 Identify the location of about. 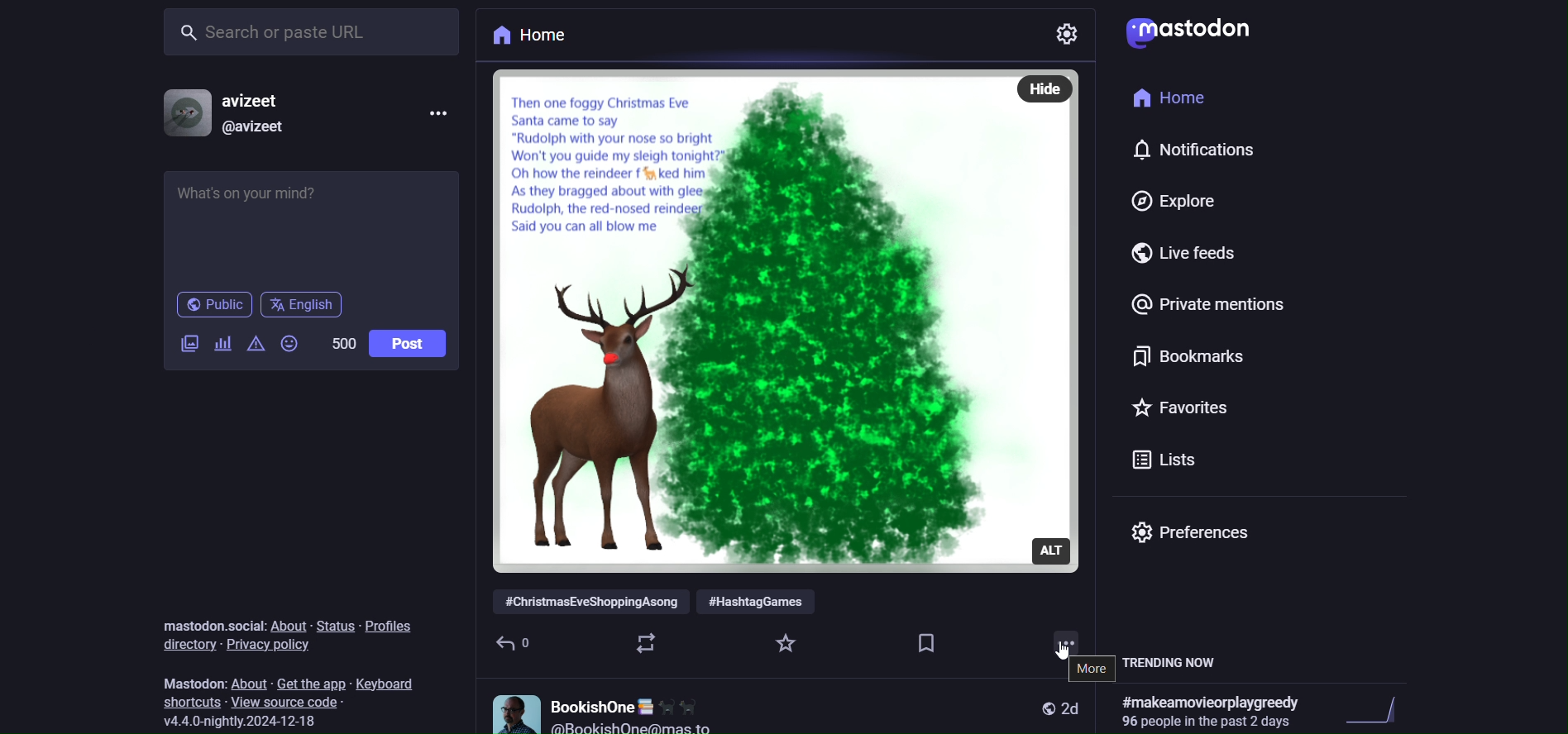
(290, 626).